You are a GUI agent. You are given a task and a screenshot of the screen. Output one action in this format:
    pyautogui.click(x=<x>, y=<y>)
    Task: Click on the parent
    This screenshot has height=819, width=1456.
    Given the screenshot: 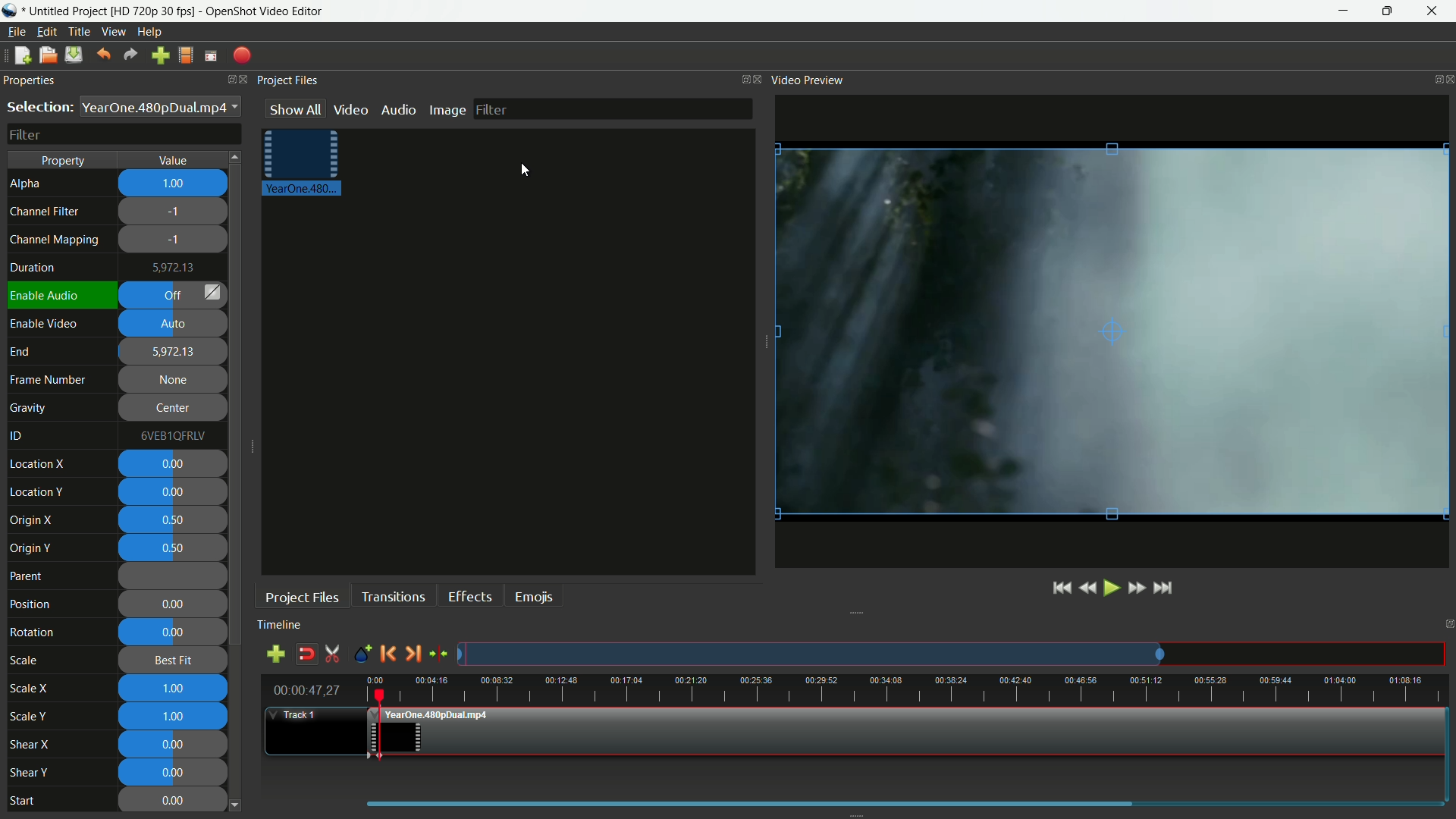 What is the action you would take?
    pyautogui.click(x=30, y=577)
    